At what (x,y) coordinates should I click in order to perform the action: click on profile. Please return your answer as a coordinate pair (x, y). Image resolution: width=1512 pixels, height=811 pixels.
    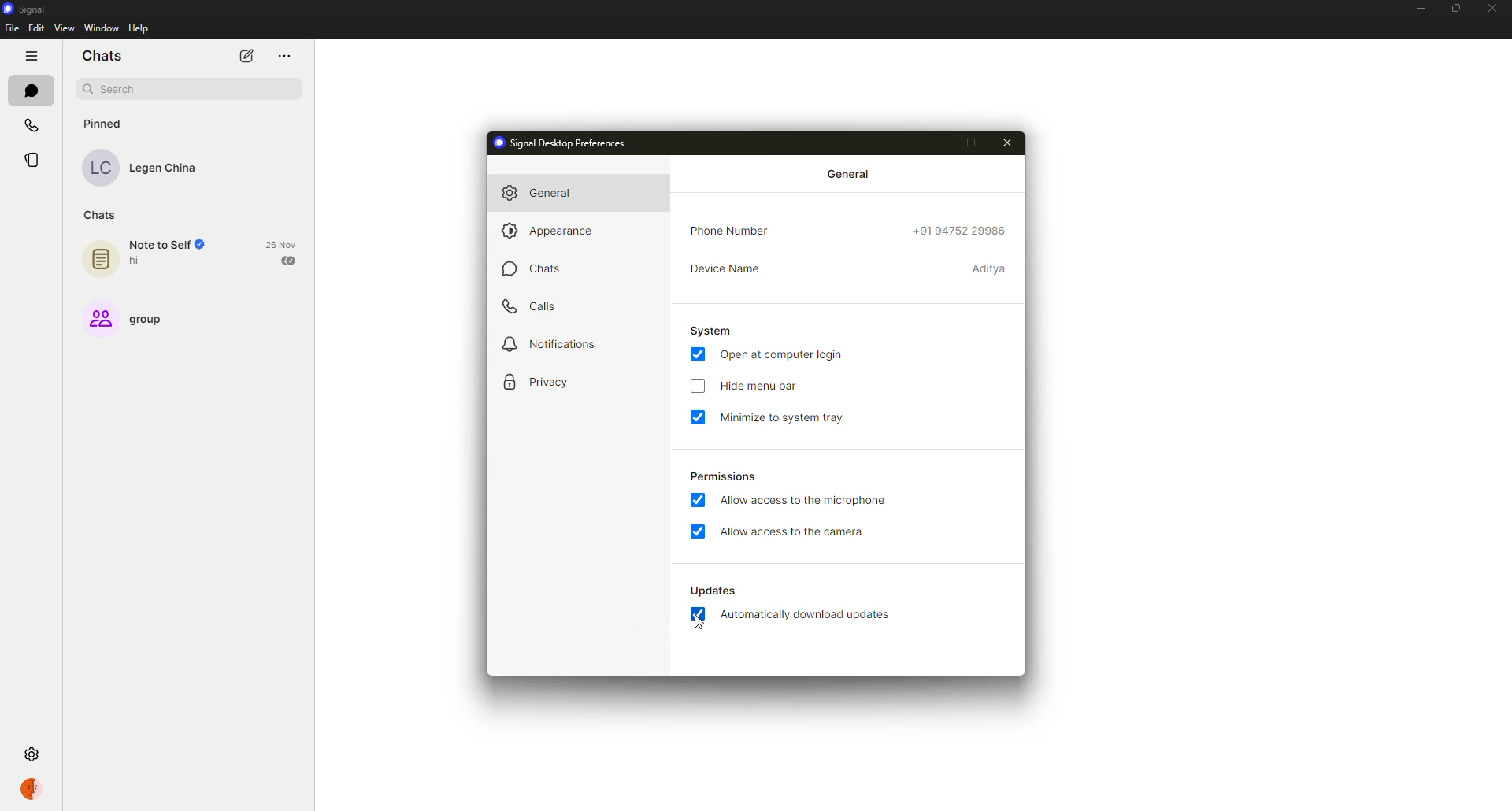
    Looking at the image, I should click on (31, 791).